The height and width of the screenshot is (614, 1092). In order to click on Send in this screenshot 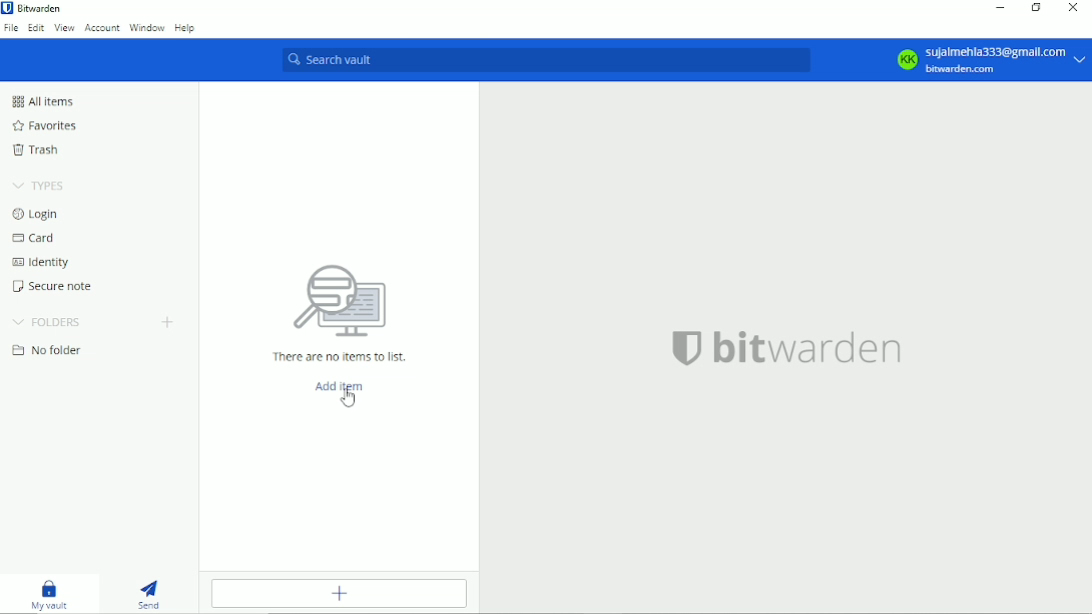, I will do `click(148, 594)`.